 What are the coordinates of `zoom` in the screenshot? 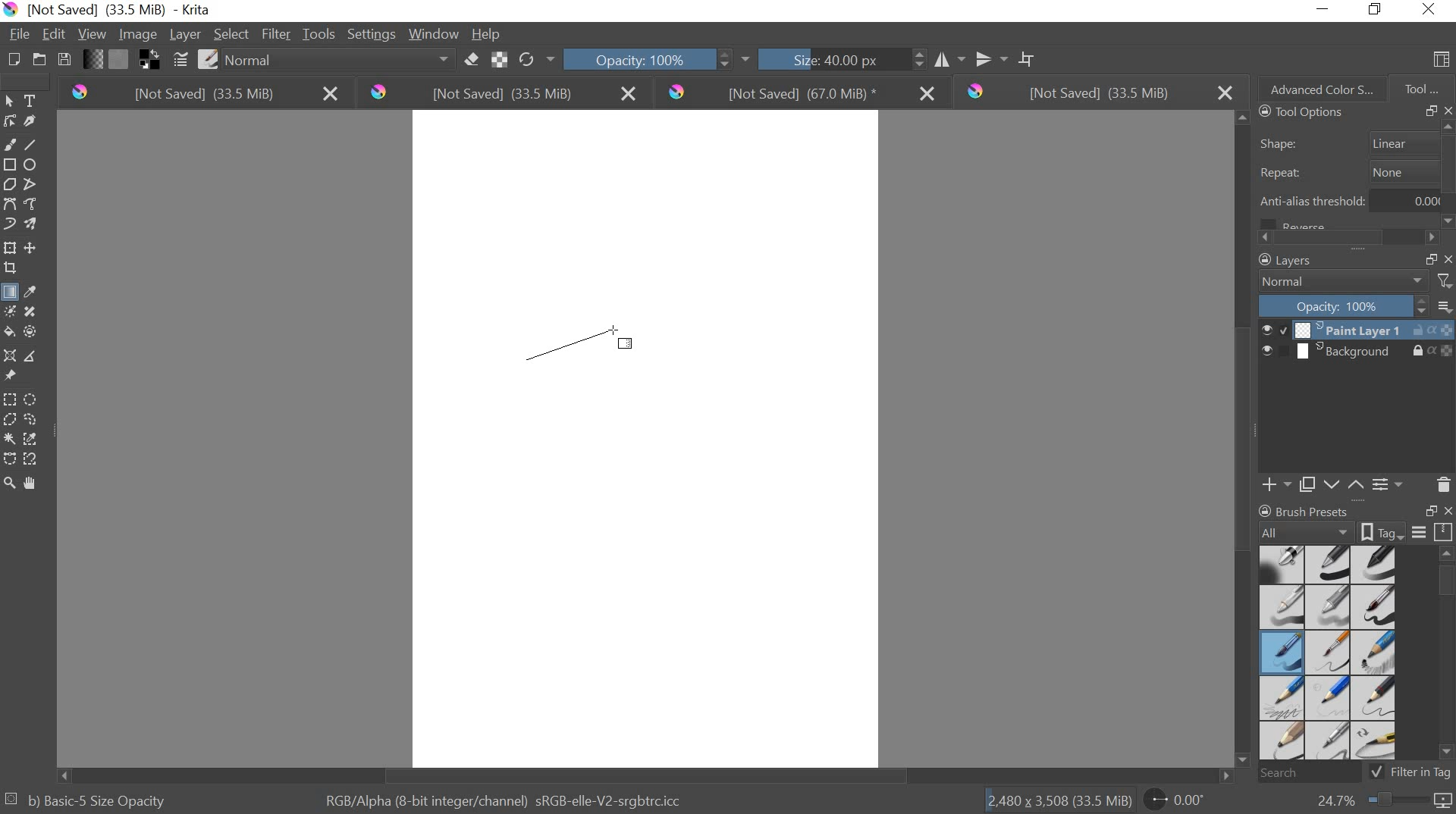 It's located at (9, 480).